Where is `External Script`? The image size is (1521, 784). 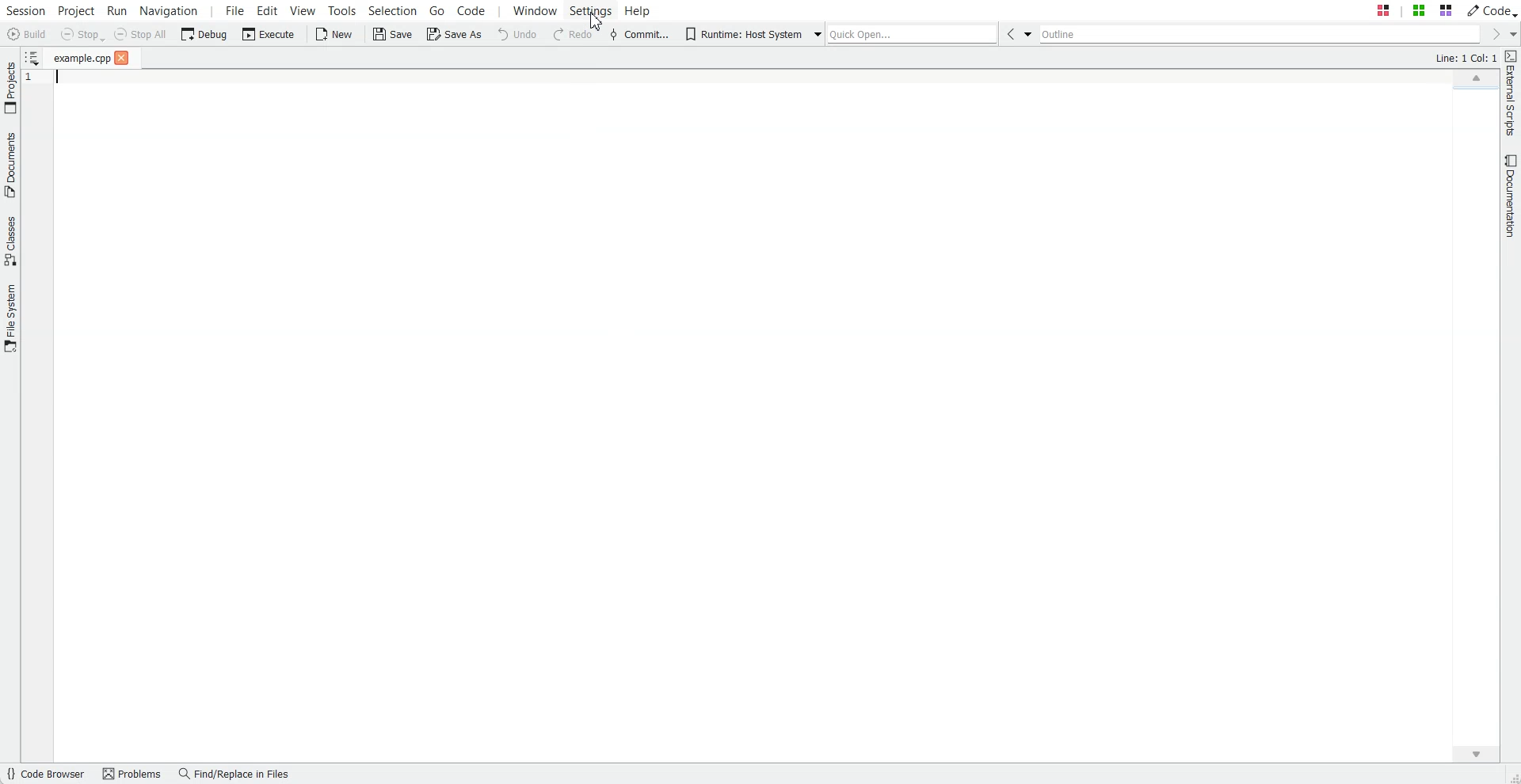
External Script is located at coordinates (1511, 94).